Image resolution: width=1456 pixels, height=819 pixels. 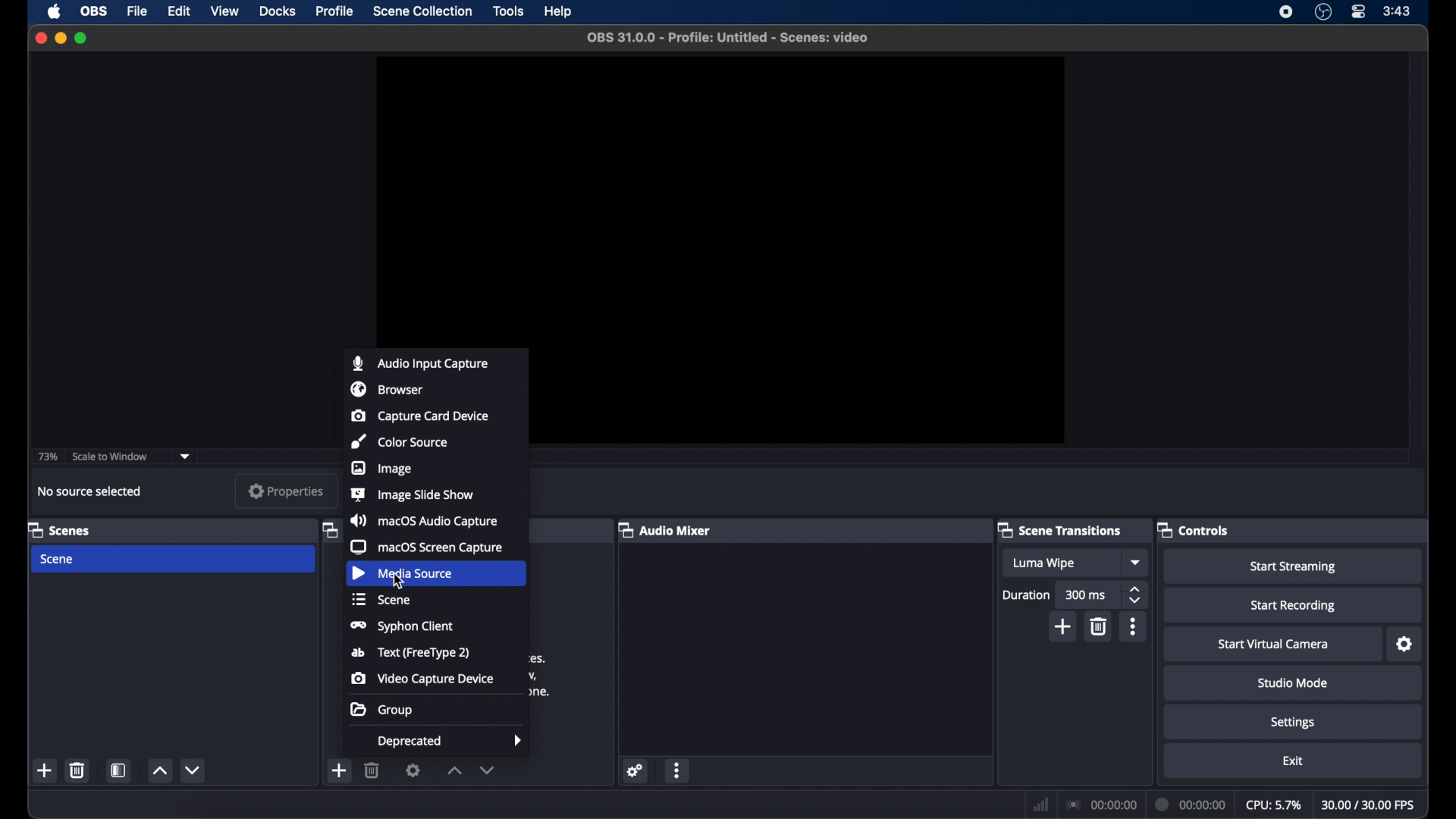 What do you see at coordinates (1100, 627) in the screenshot?
I see `delete` at bounding box center [1100, 627].